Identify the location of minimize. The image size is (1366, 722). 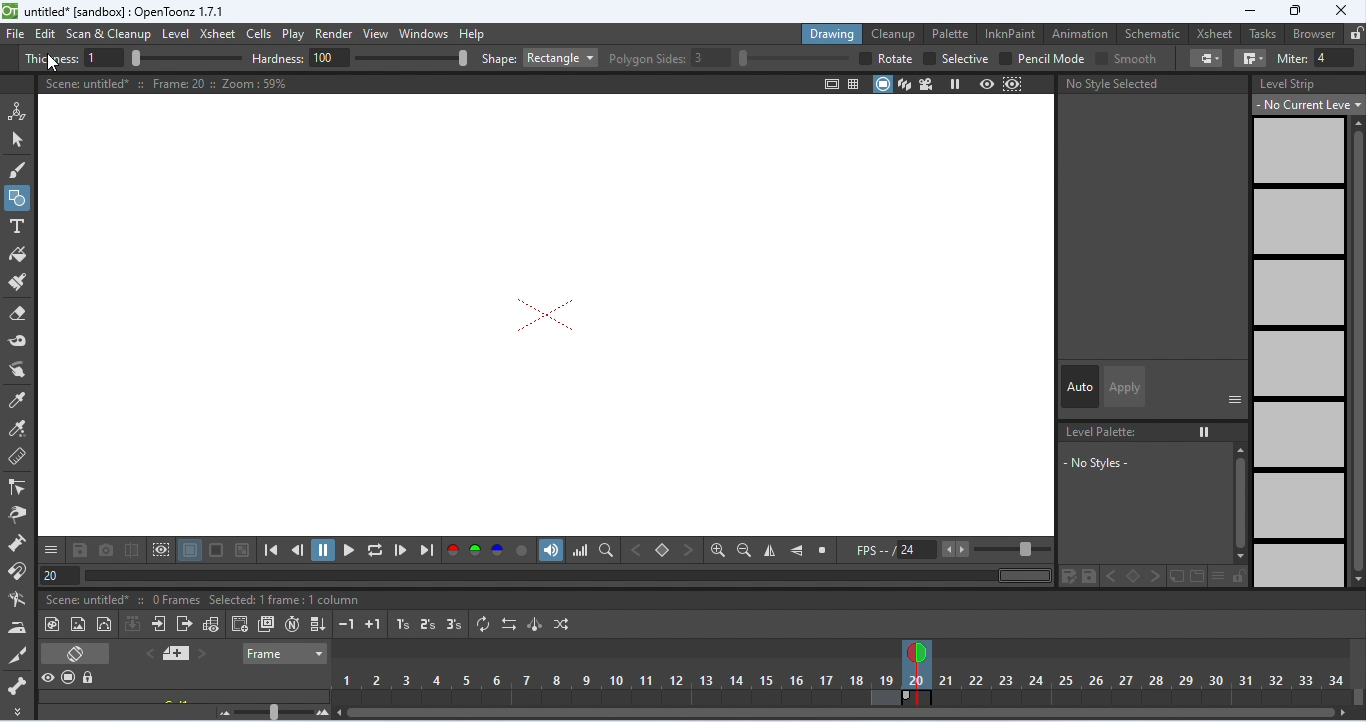
(1250, 12).